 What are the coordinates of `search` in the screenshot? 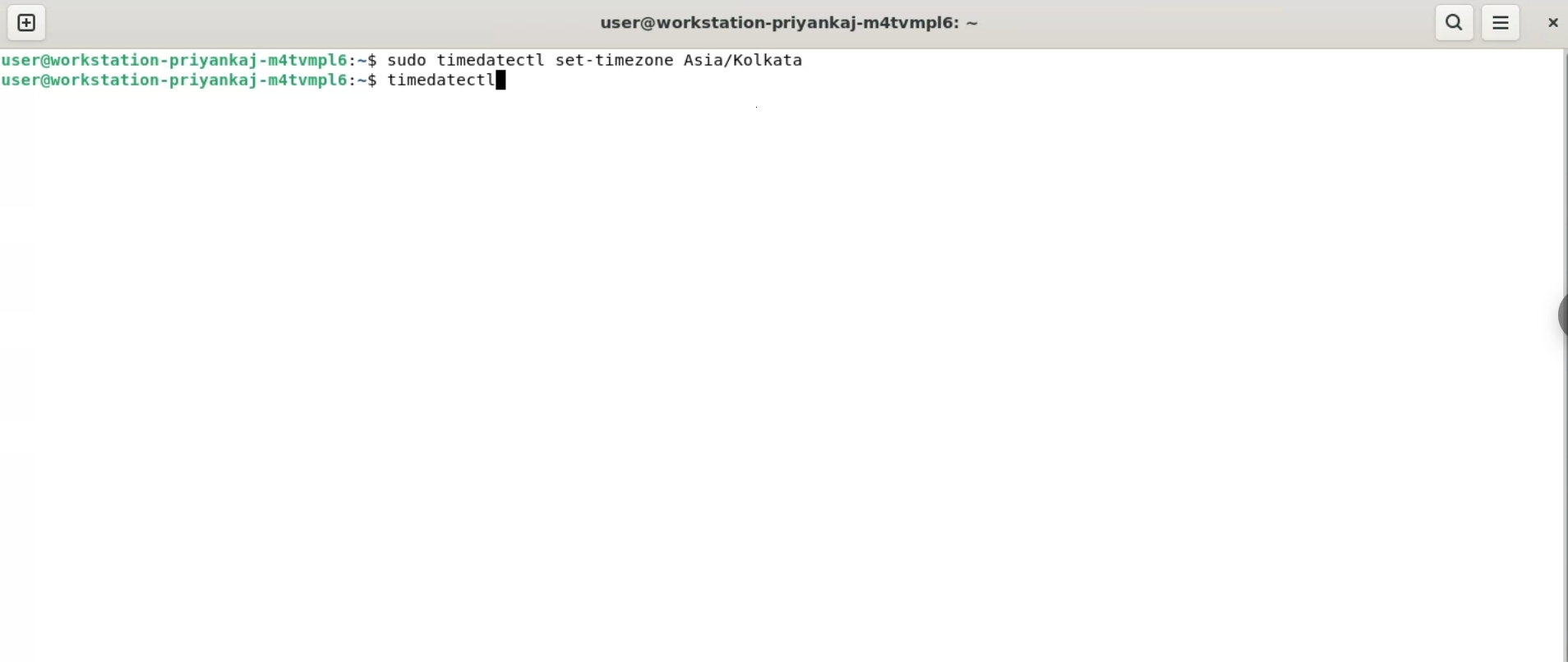 It's located at (1454, 23).